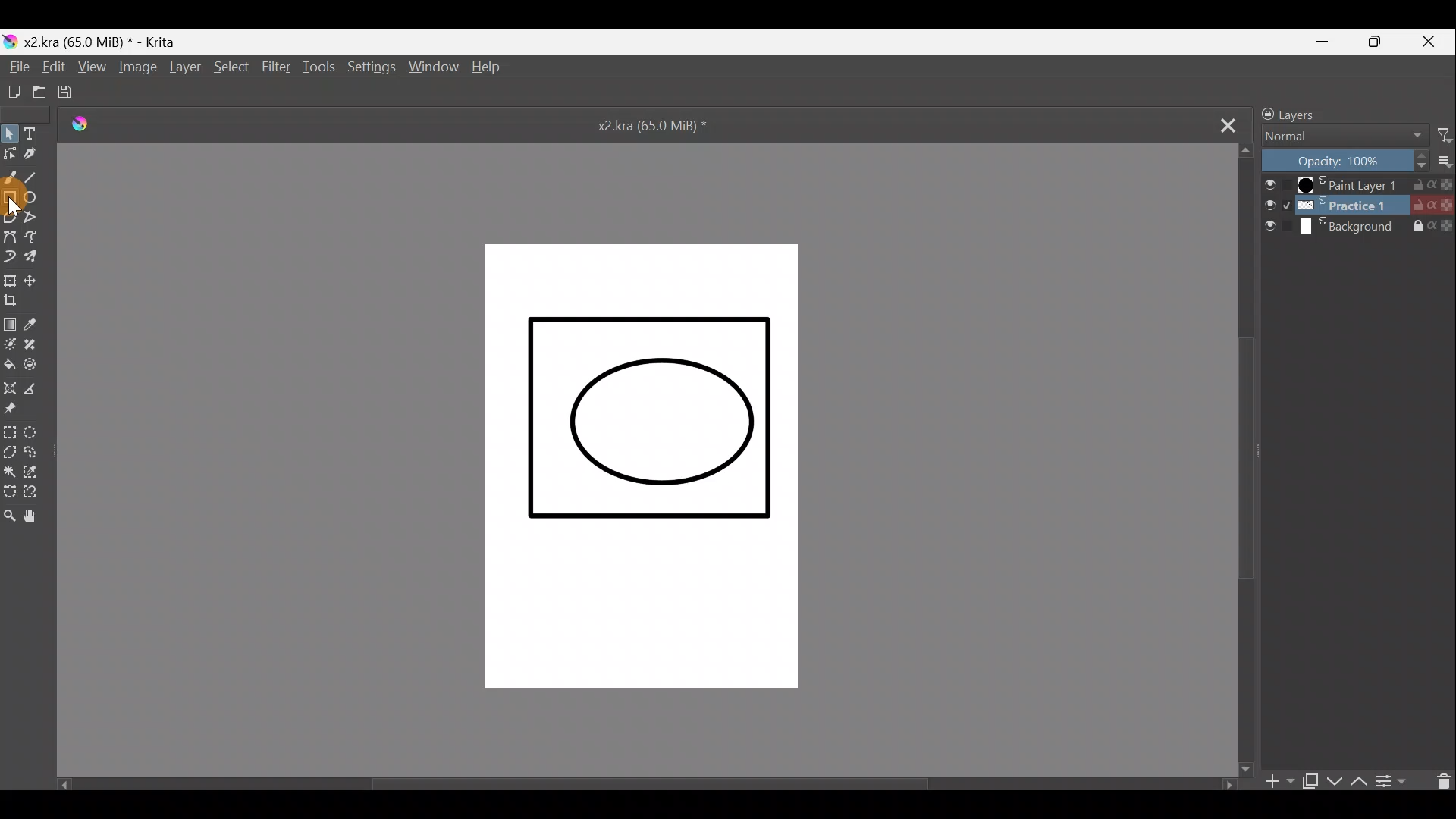 Image resolution: width=1456 pixels, height=819 pixels. What do you see at coordinates (11, 386) in the screenshot?
I see `Assistant tool` at bounding box center [11, 386].